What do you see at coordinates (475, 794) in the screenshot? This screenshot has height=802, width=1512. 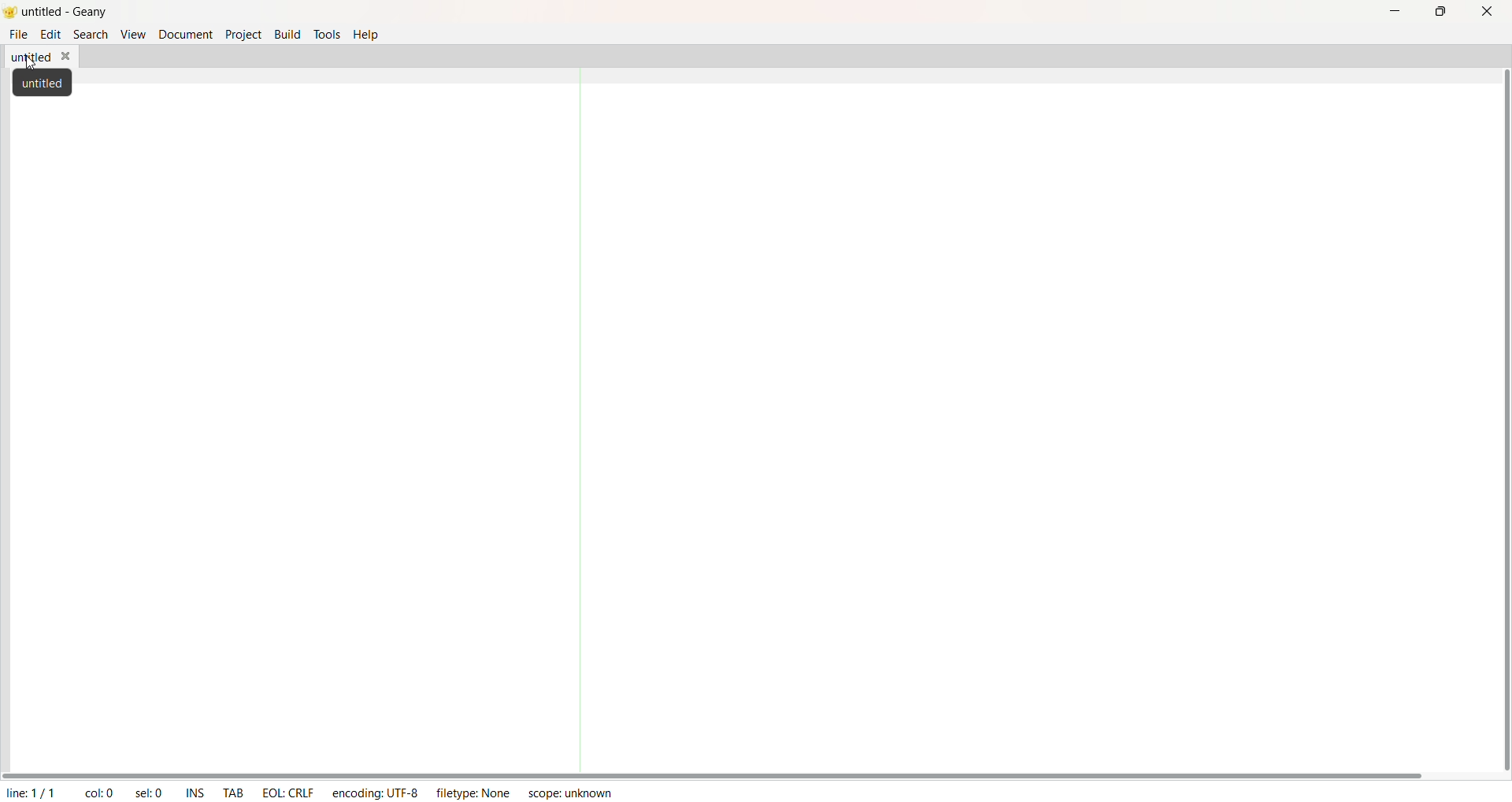 I see `filetype: Name` at bounding box center [475, 794].